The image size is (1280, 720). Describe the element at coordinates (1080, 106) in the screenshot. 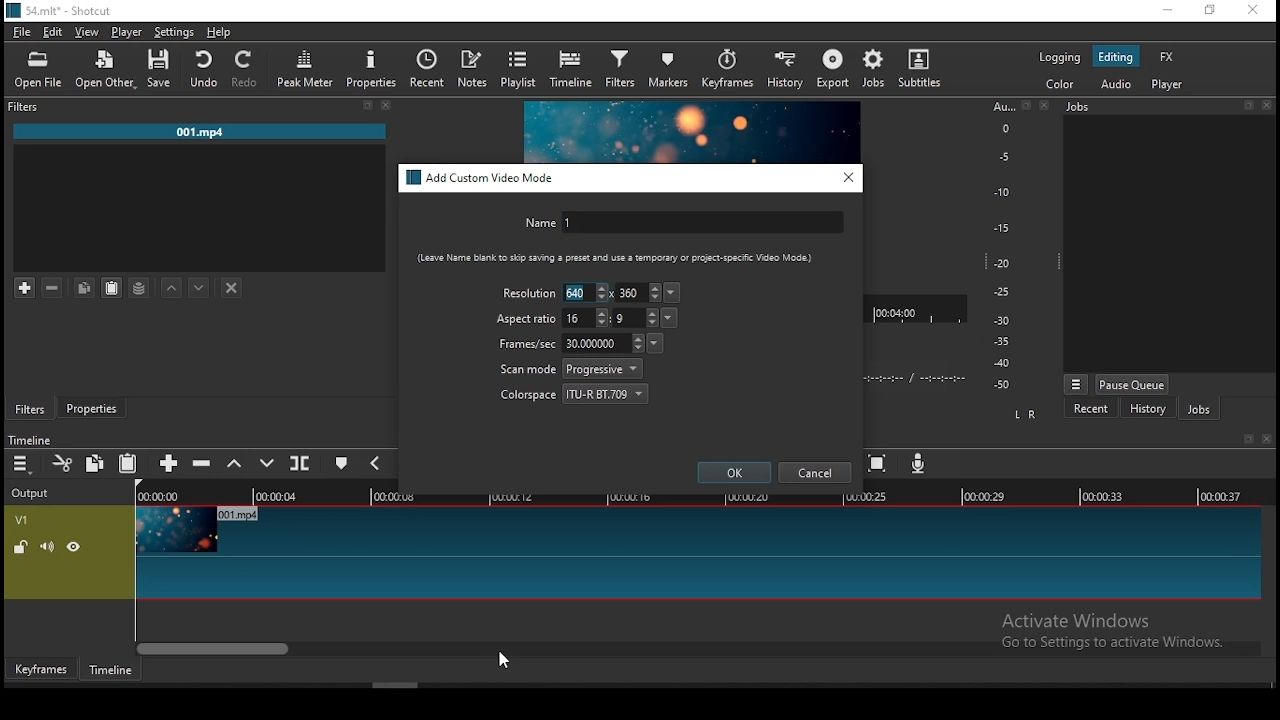

I see `jobs` at that location.